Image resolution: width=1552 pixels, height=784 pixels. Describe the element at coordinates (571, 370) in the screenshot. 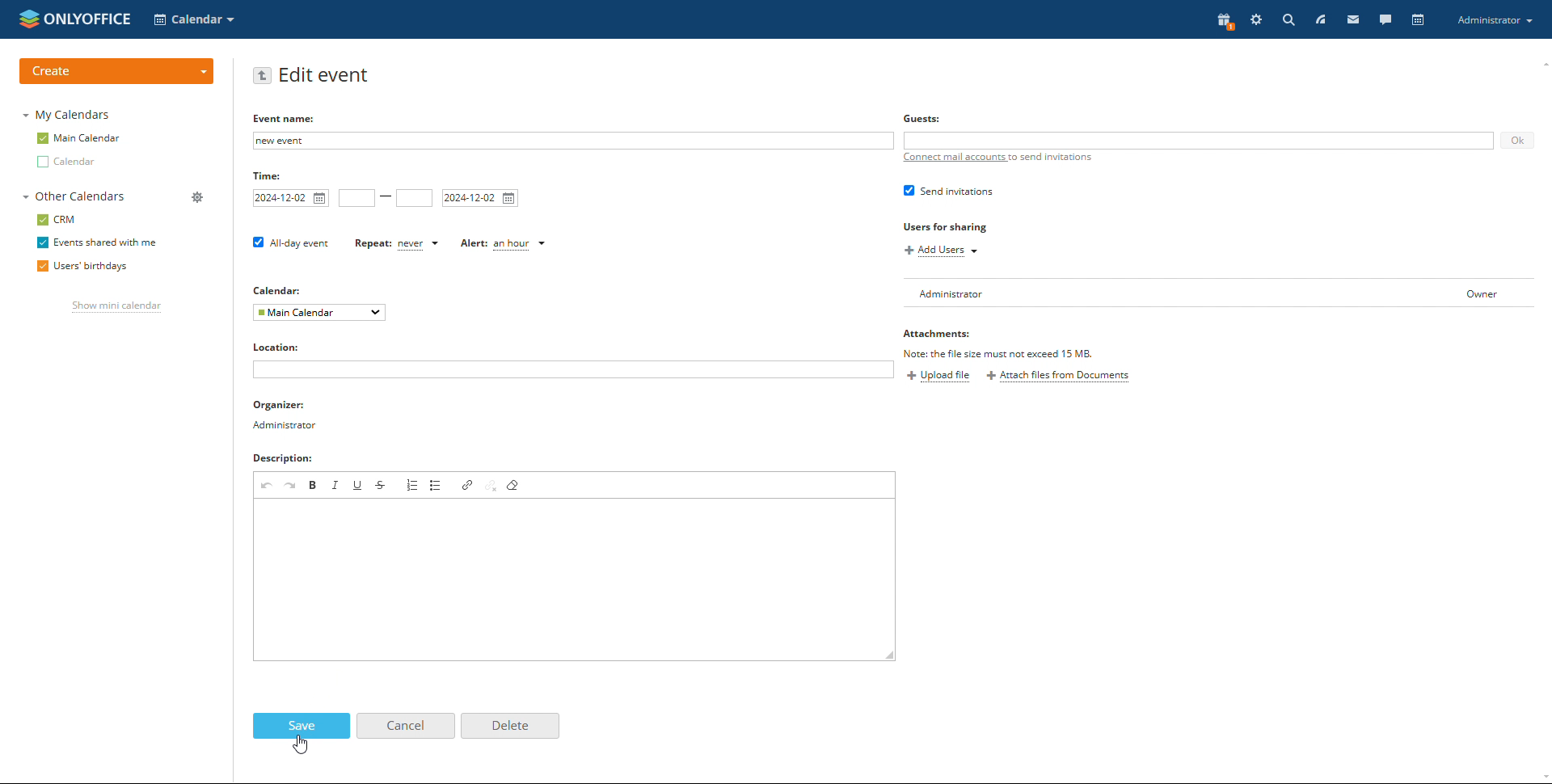

I see `add location` at that location.